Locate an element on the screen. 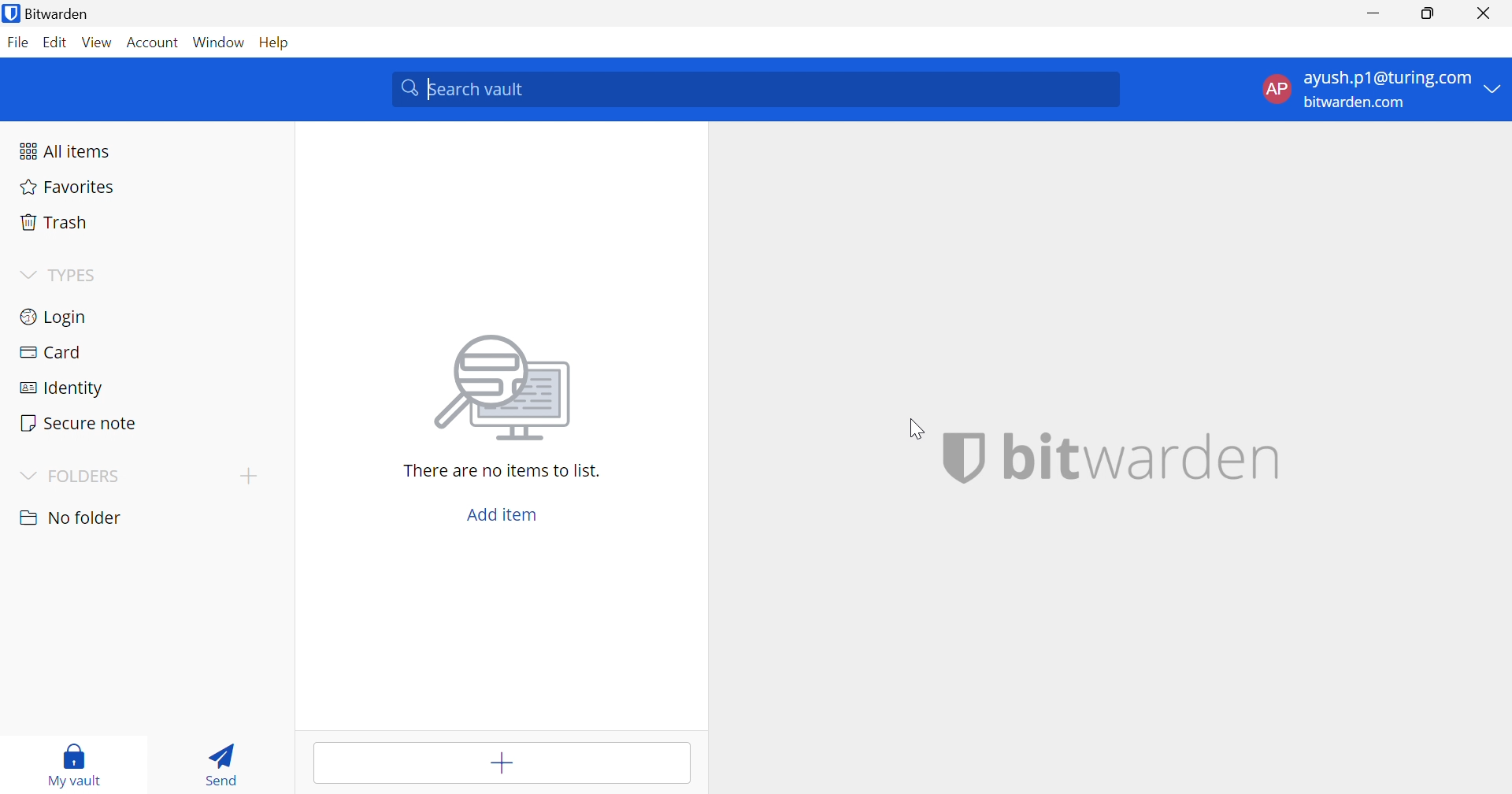 The image size is (1512, 794). Edit is located at coordinates (57, 43).